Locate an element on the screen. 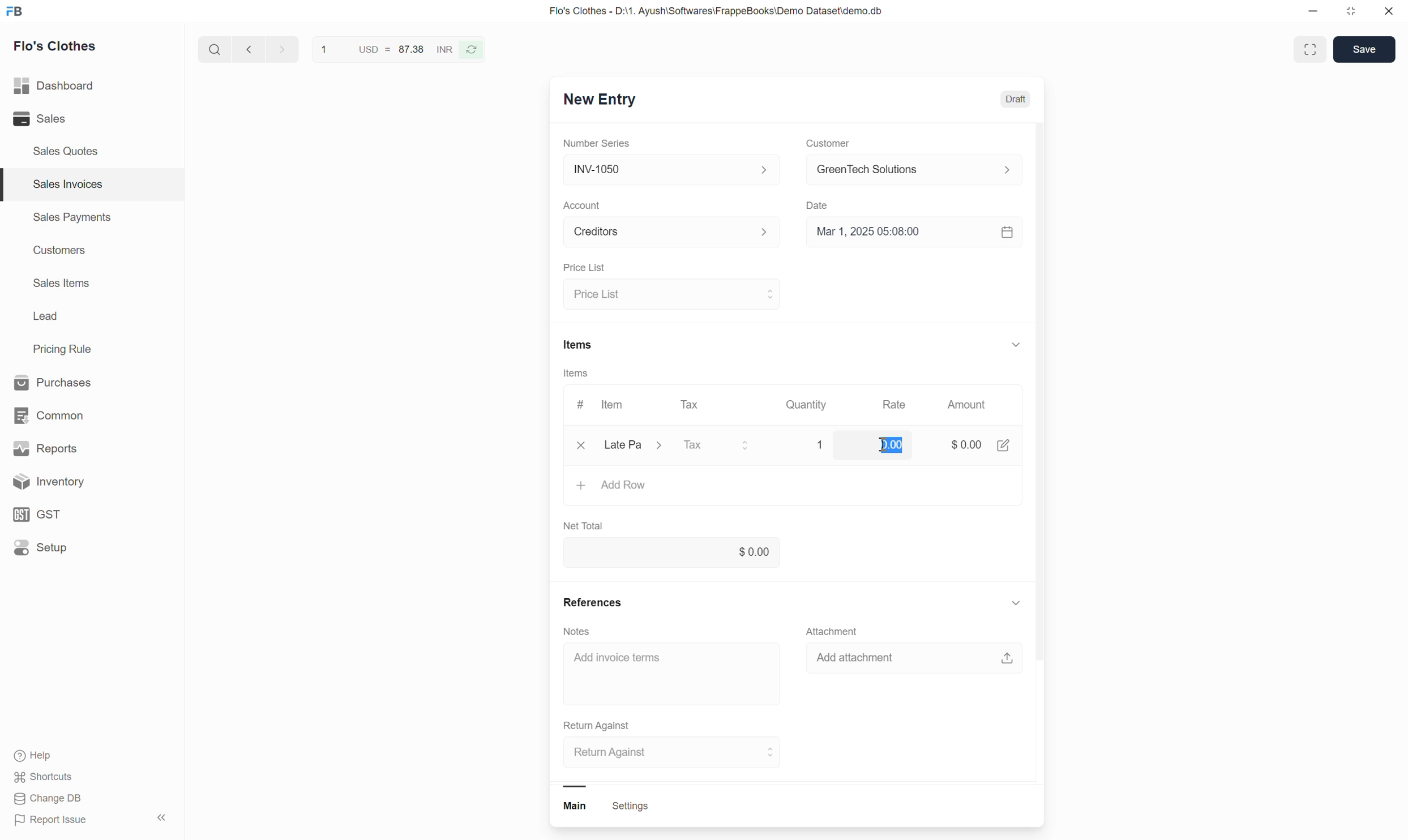 Image resolution: width=1408 pixels, height=840 pixels. resize  is located at coordinates (1355, 14).